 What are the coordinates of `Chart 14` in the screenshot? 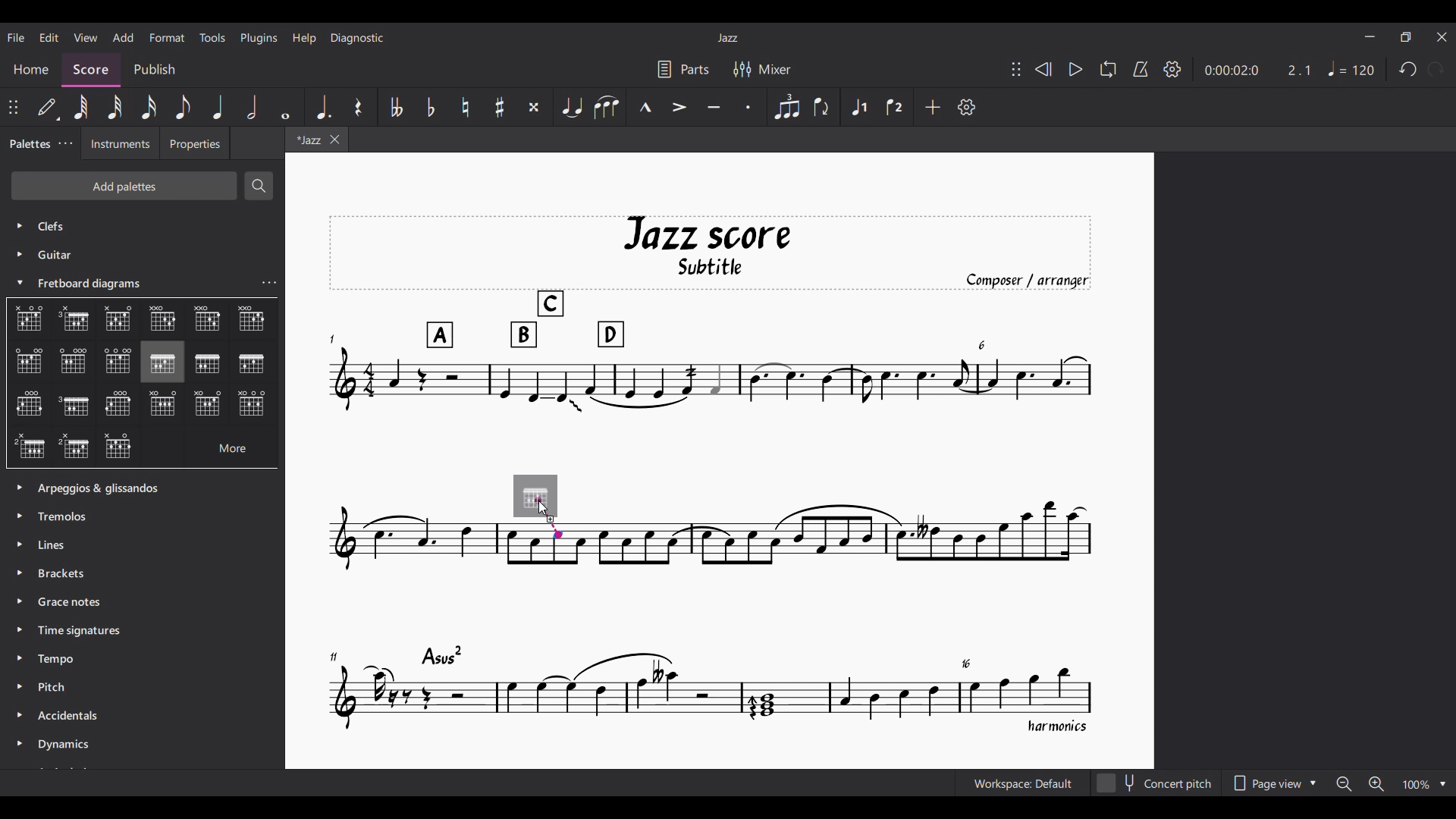 It's located at (119, 405).